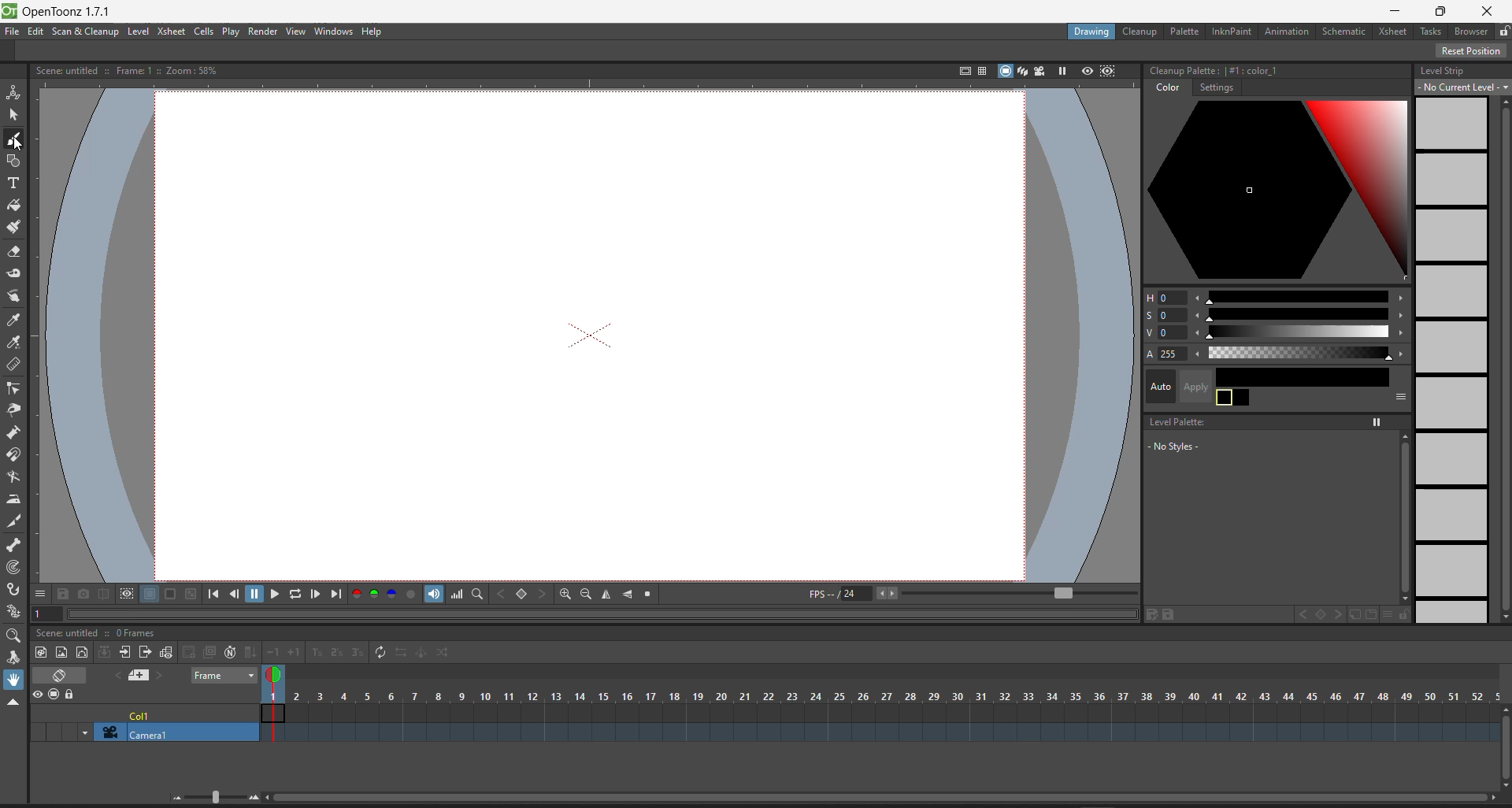 The width and height of the screenshot is (1512, 808). I want to click on next key, so click(543, 594).